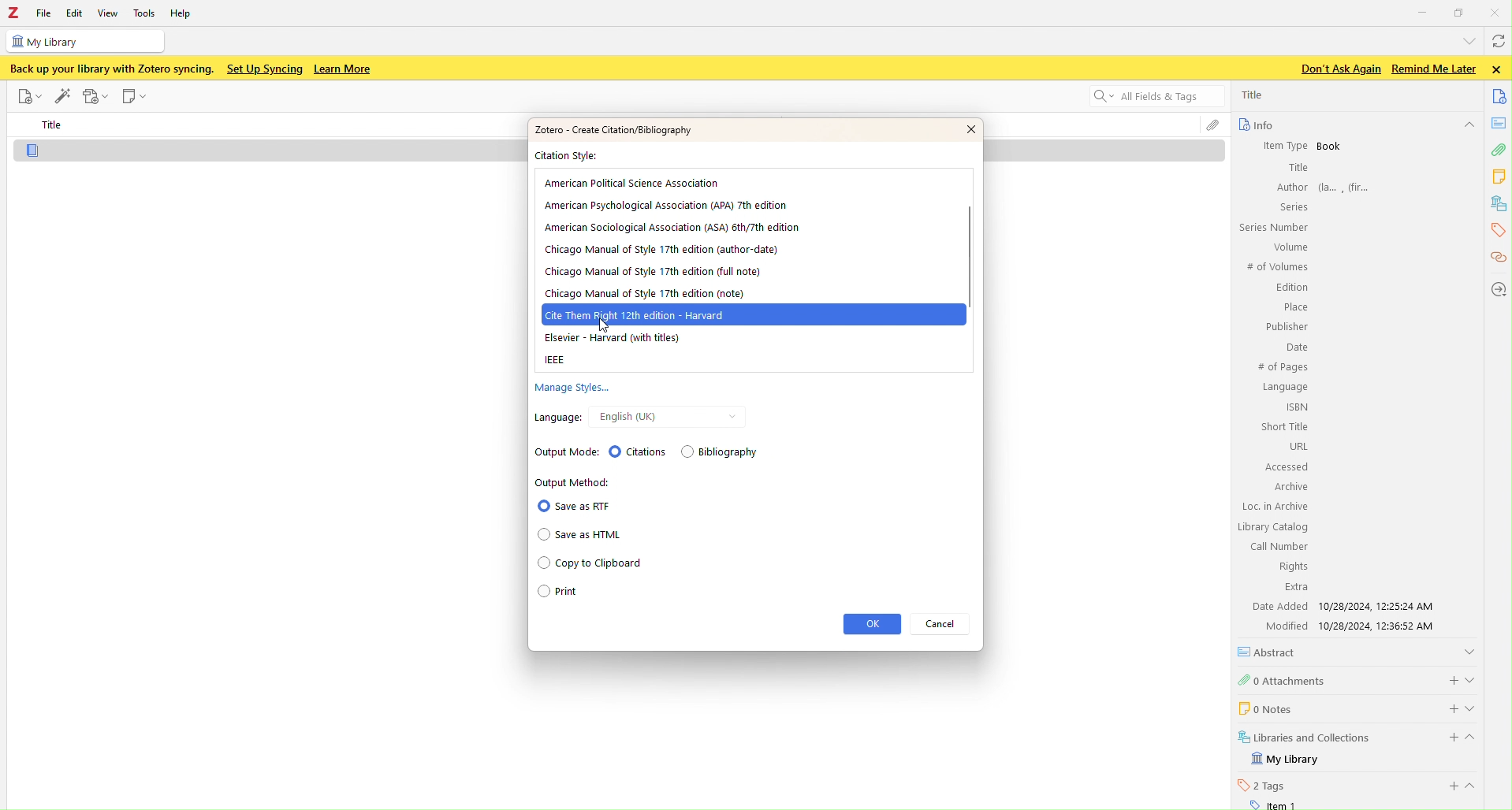 The image size is (1512, 810). I want to click on Call Number, so click(1278, 546).